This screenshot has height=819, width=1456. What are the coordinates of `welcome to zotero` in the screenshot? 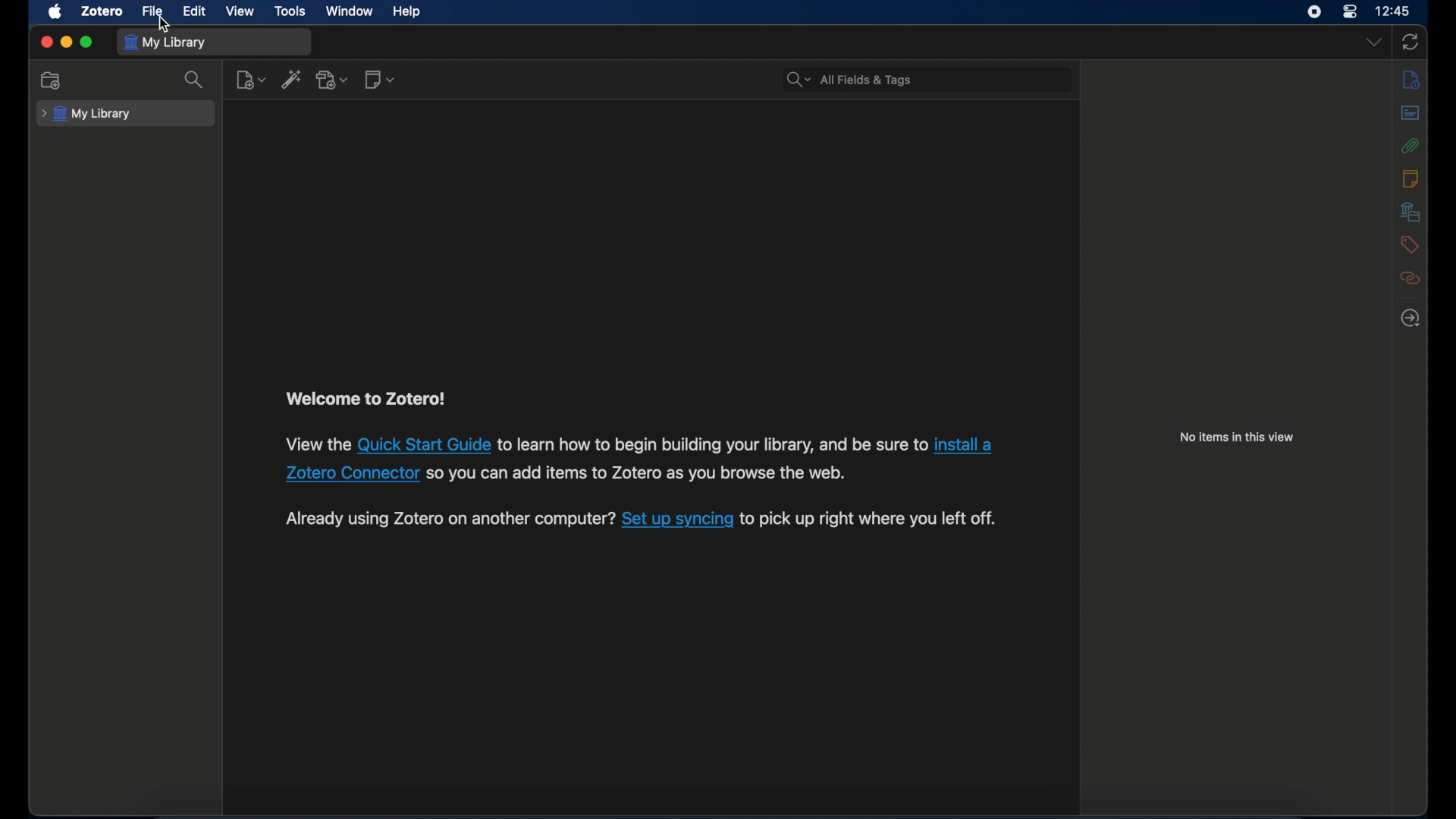 It's located at (364, 398).